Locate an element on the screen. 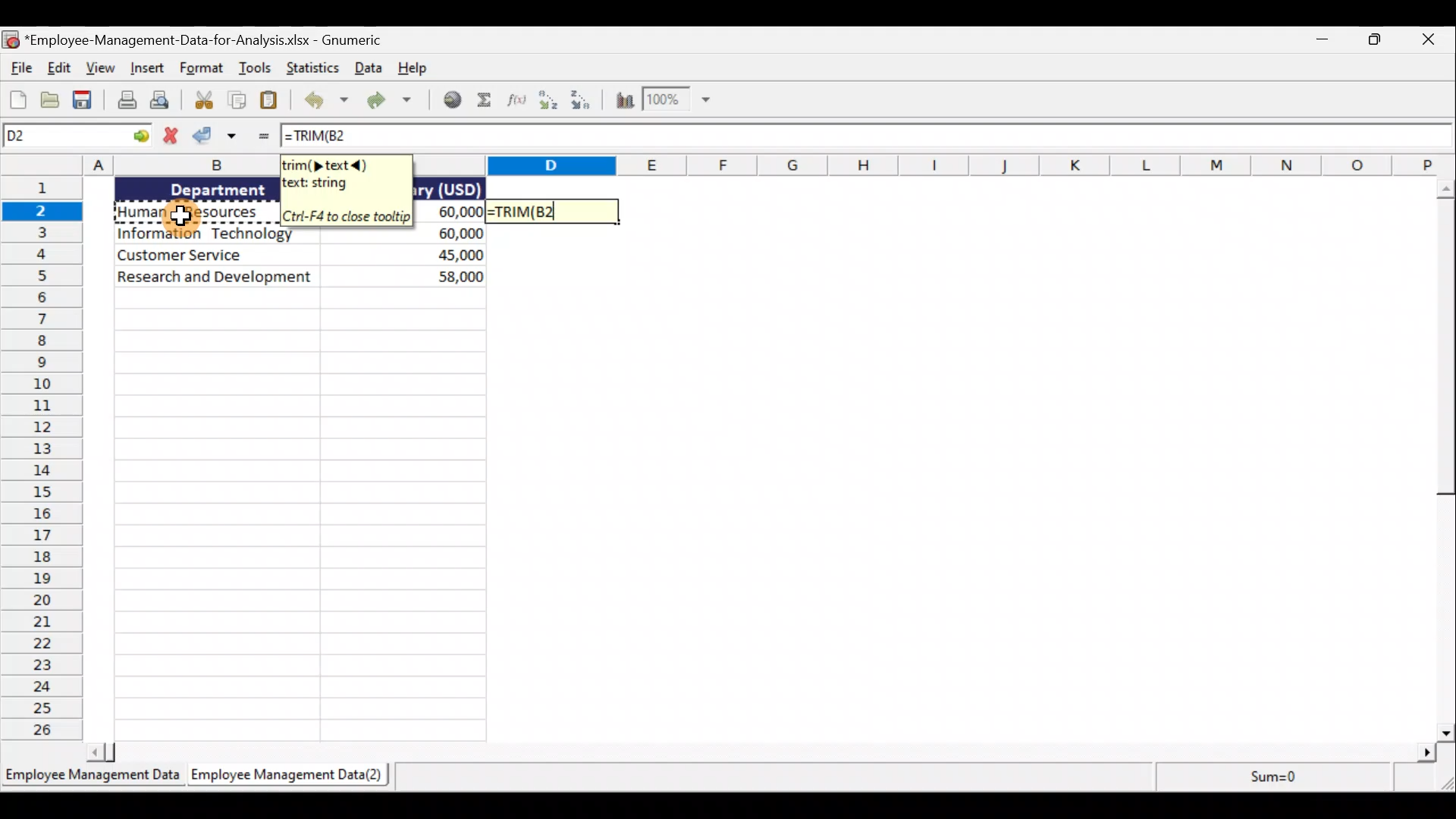 The height and width of the screenshot is (819, 1456). Cell name is located at coordinates (78, 136).